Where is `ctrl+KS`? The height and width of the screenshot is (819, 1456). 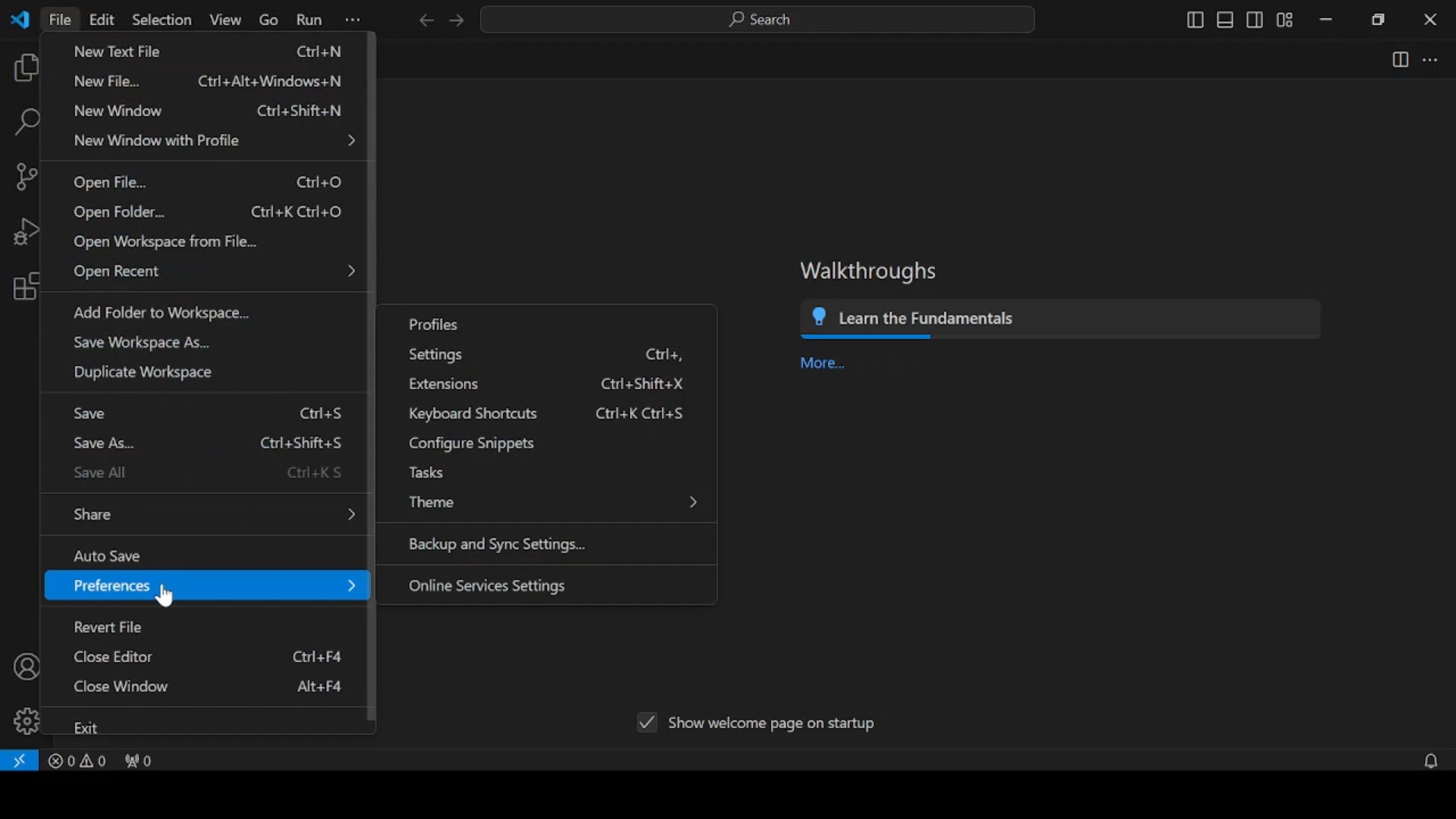
ctrl+KS is located at coordinates (316, 473).